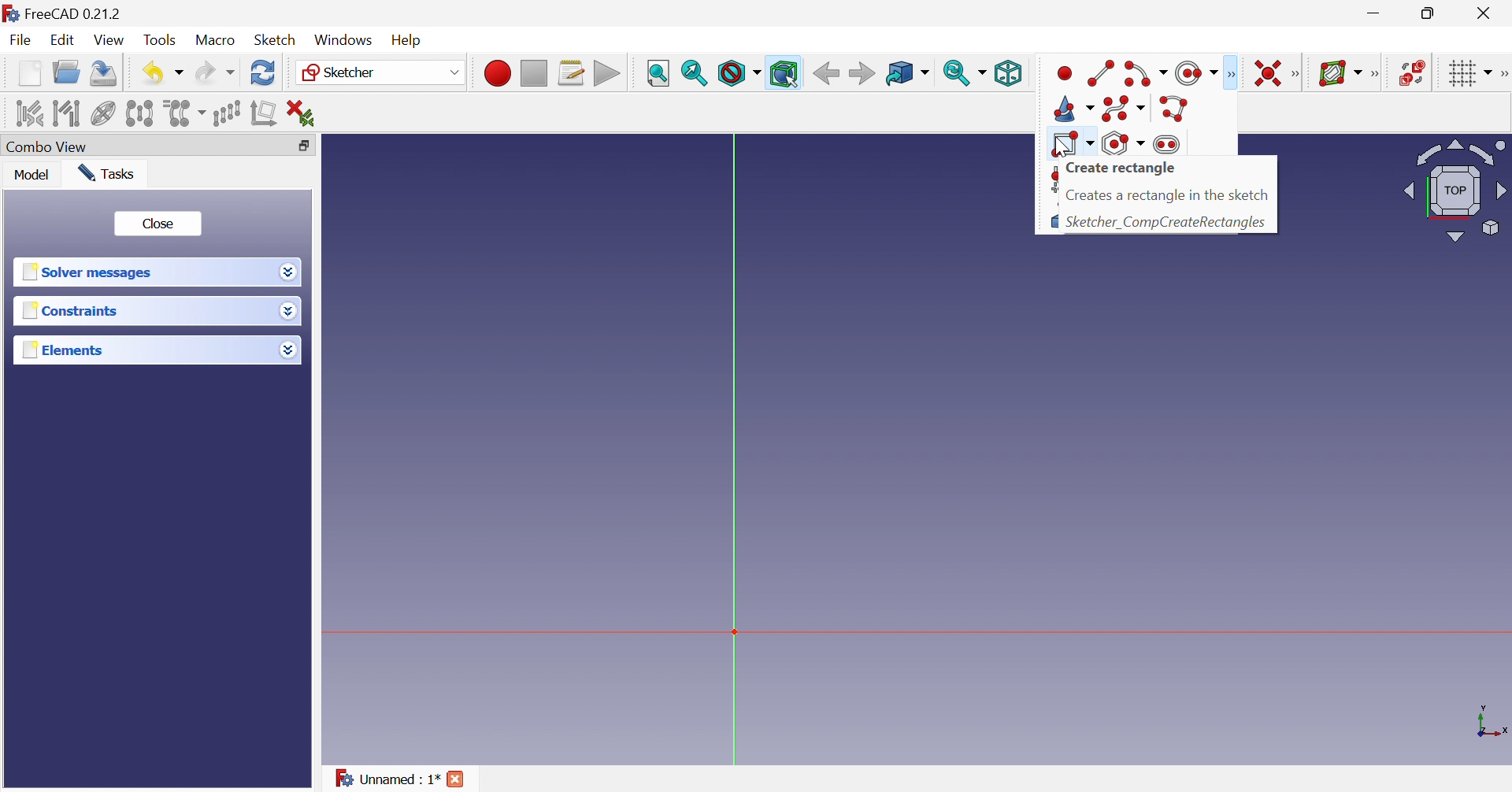 The width and height of the screenshot is (1512, 792). What do you see at coordinates (1267, 72) in the screenshot?
I see `Constrain coincident` at bounding box center [1267, 72].